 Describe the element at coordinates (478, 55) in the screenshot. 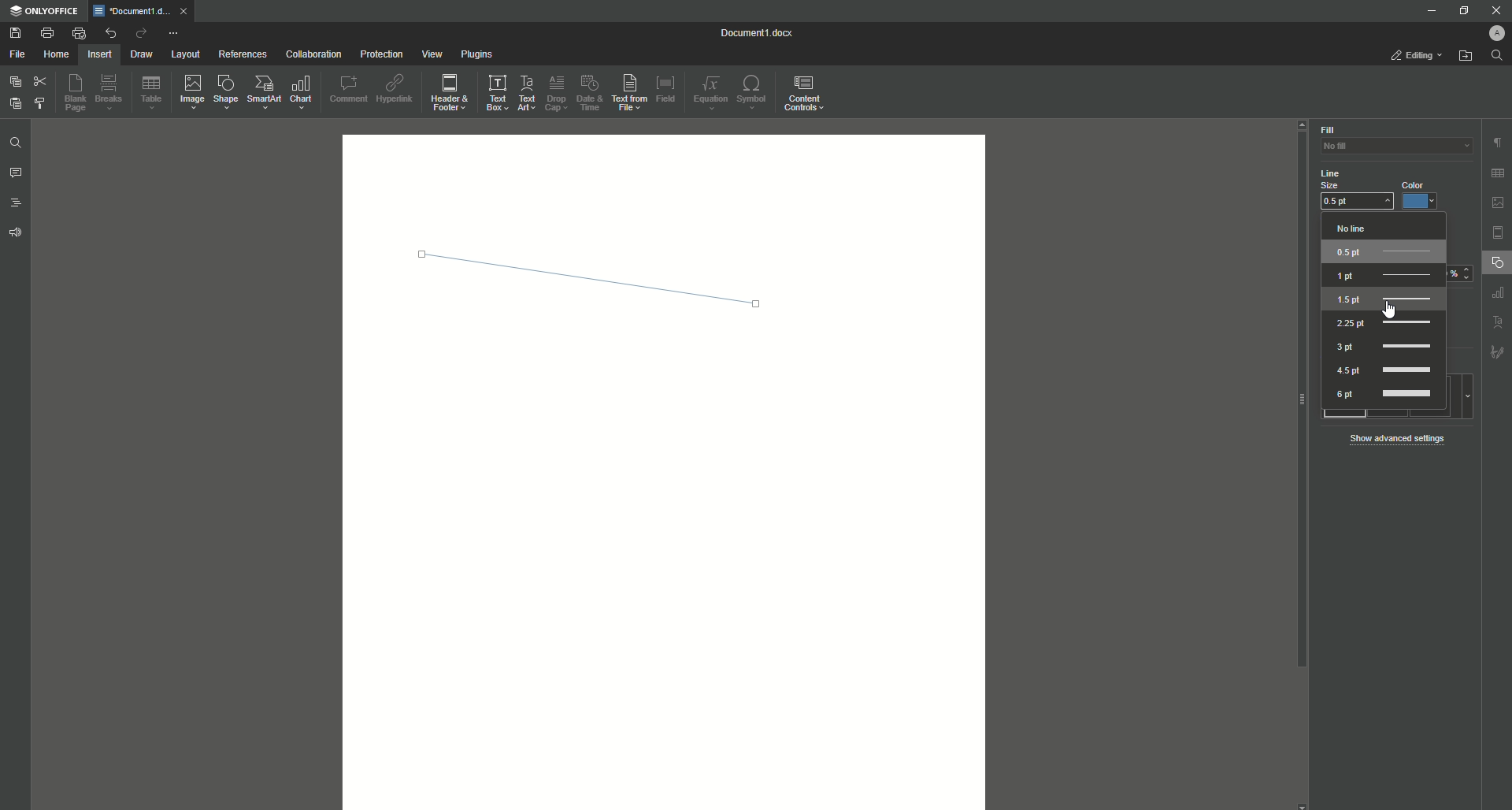

I see `Plugins` at that location.